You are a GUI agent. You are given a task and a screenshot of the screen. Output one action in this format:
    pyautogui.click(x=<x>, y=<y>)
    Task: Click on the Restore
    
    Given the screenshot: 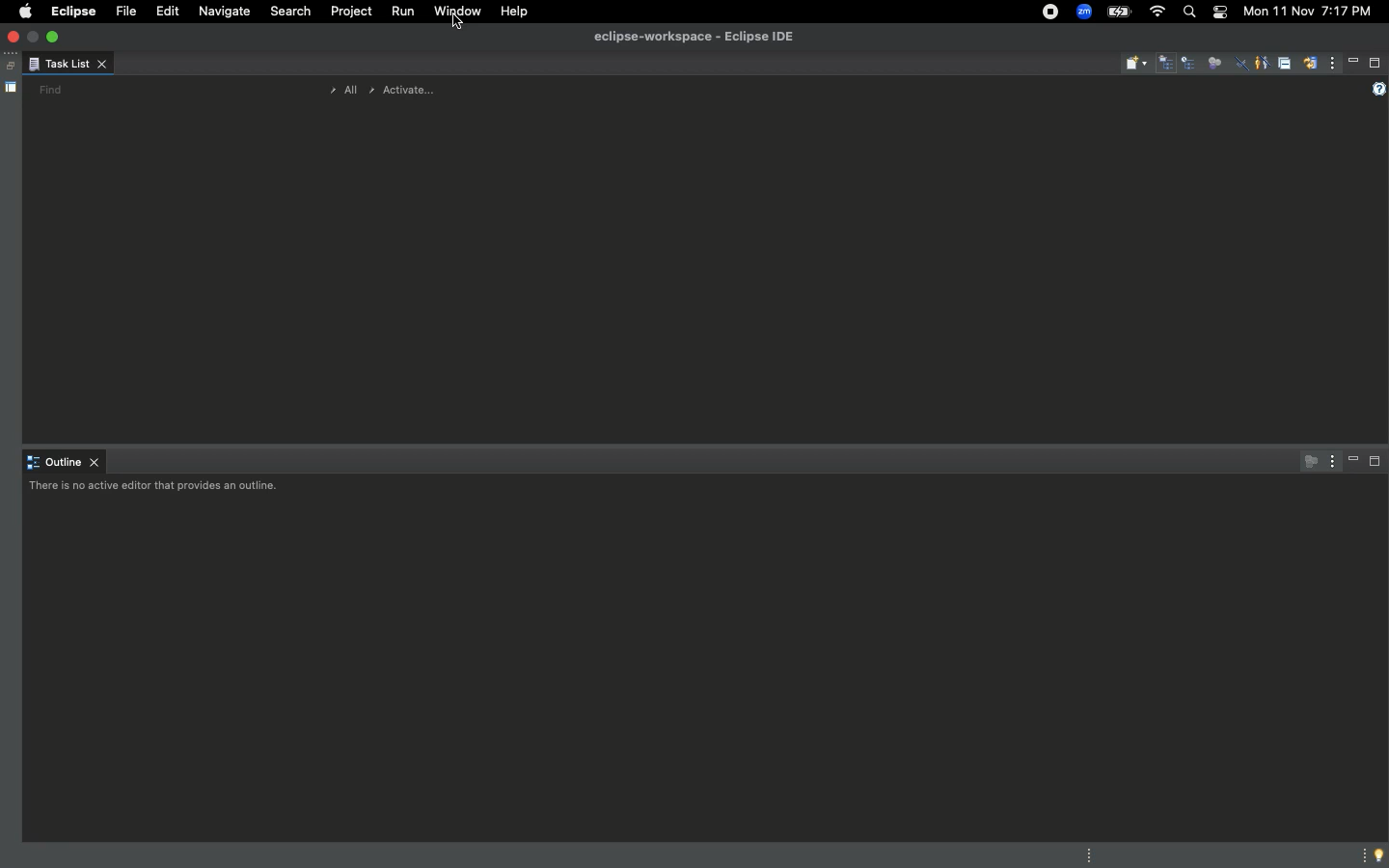 What is the action you would take?
    pyautogui.click(x=8, y=67)
    